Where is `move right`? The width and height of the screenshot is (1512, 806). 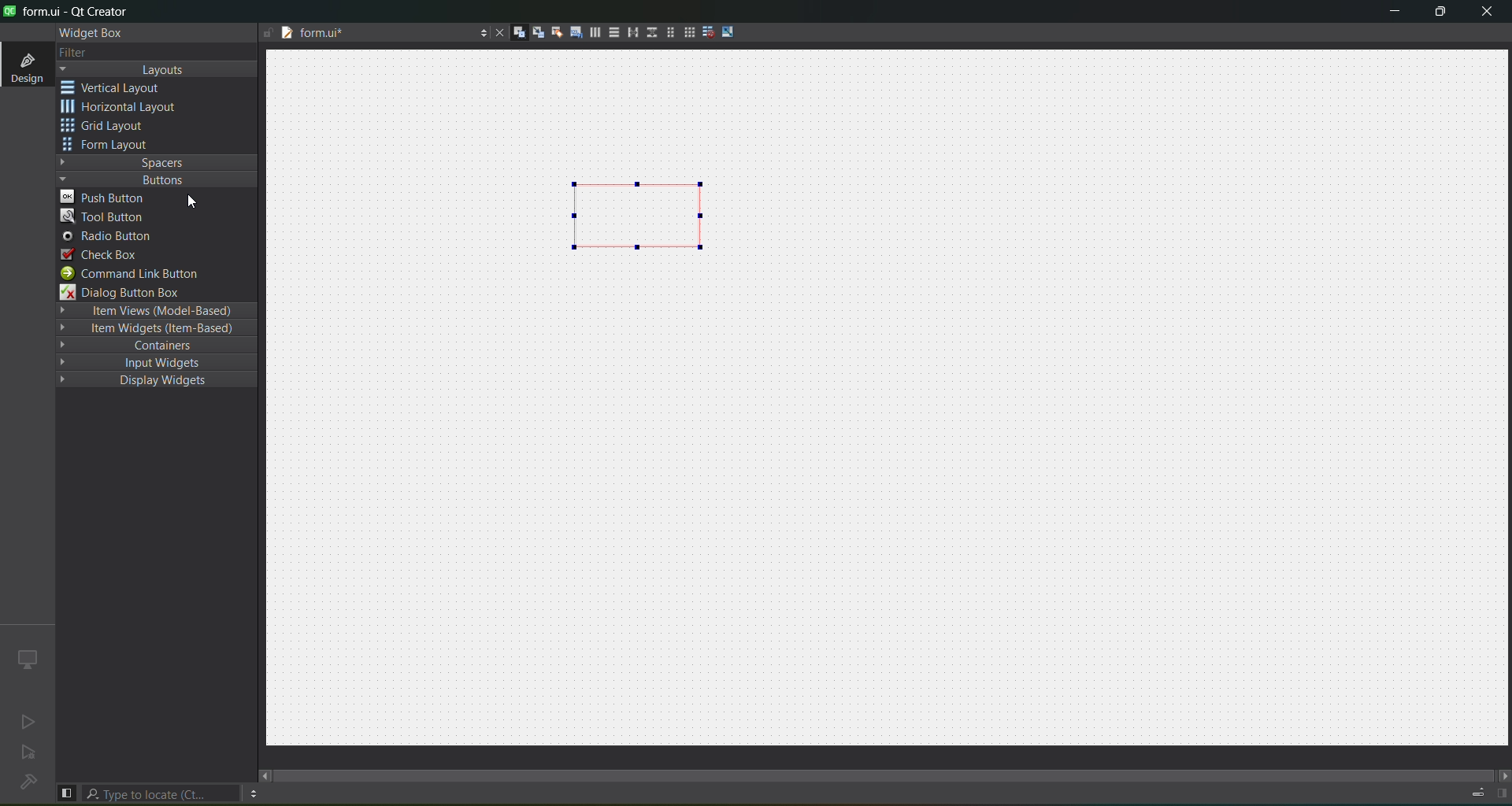 move right is located at coordinates (1501, 774).